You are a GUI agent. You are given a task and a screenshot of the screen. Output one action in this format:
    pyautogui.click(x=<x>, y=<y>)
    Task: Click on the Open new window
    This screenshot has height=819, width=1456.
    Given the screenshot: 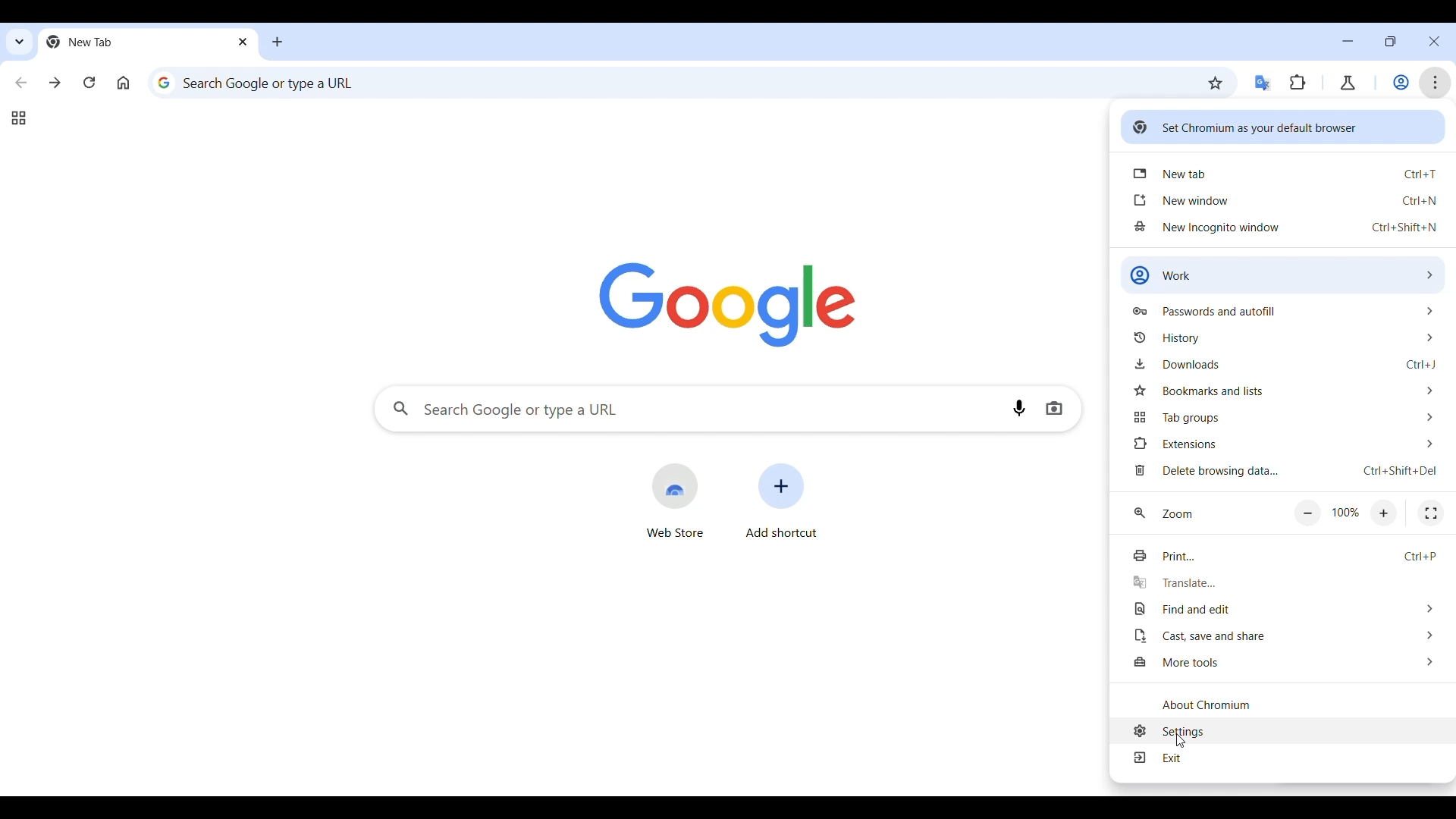 What is the action you would take?
    pyautogui.click(x=1283, y=199)
    